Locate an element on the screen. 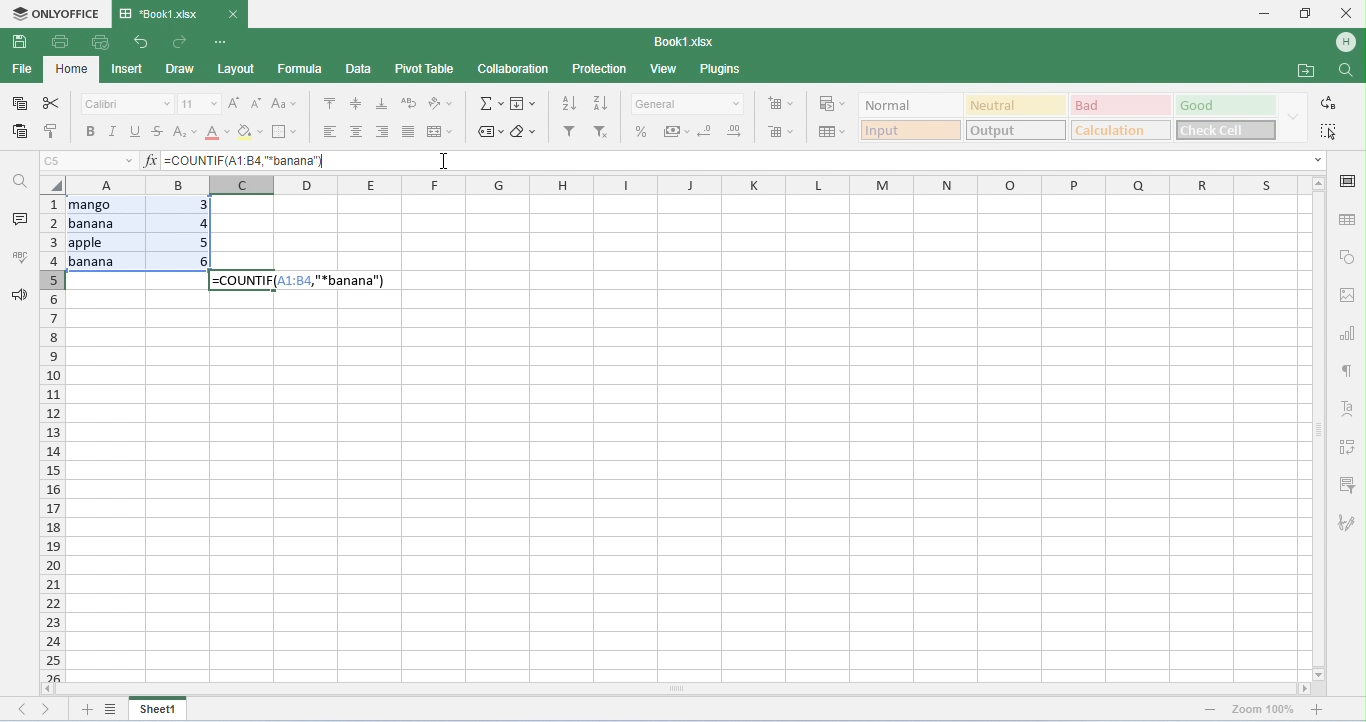 This screenshot has width=1366, height=722. print is located at coordinates (59, 42).